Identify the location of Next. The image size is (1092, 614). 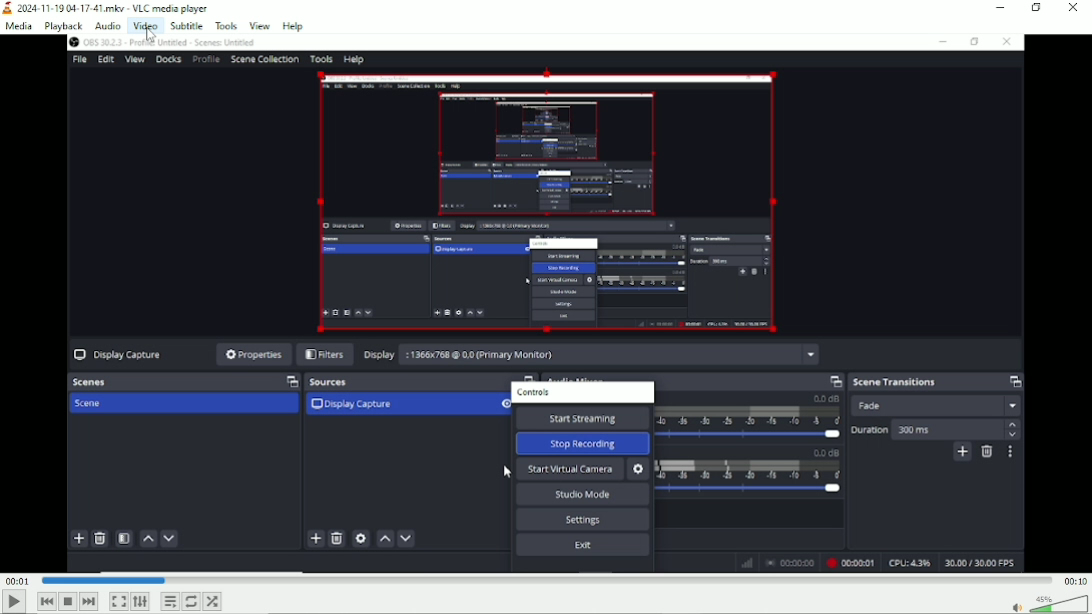
(88, 602).